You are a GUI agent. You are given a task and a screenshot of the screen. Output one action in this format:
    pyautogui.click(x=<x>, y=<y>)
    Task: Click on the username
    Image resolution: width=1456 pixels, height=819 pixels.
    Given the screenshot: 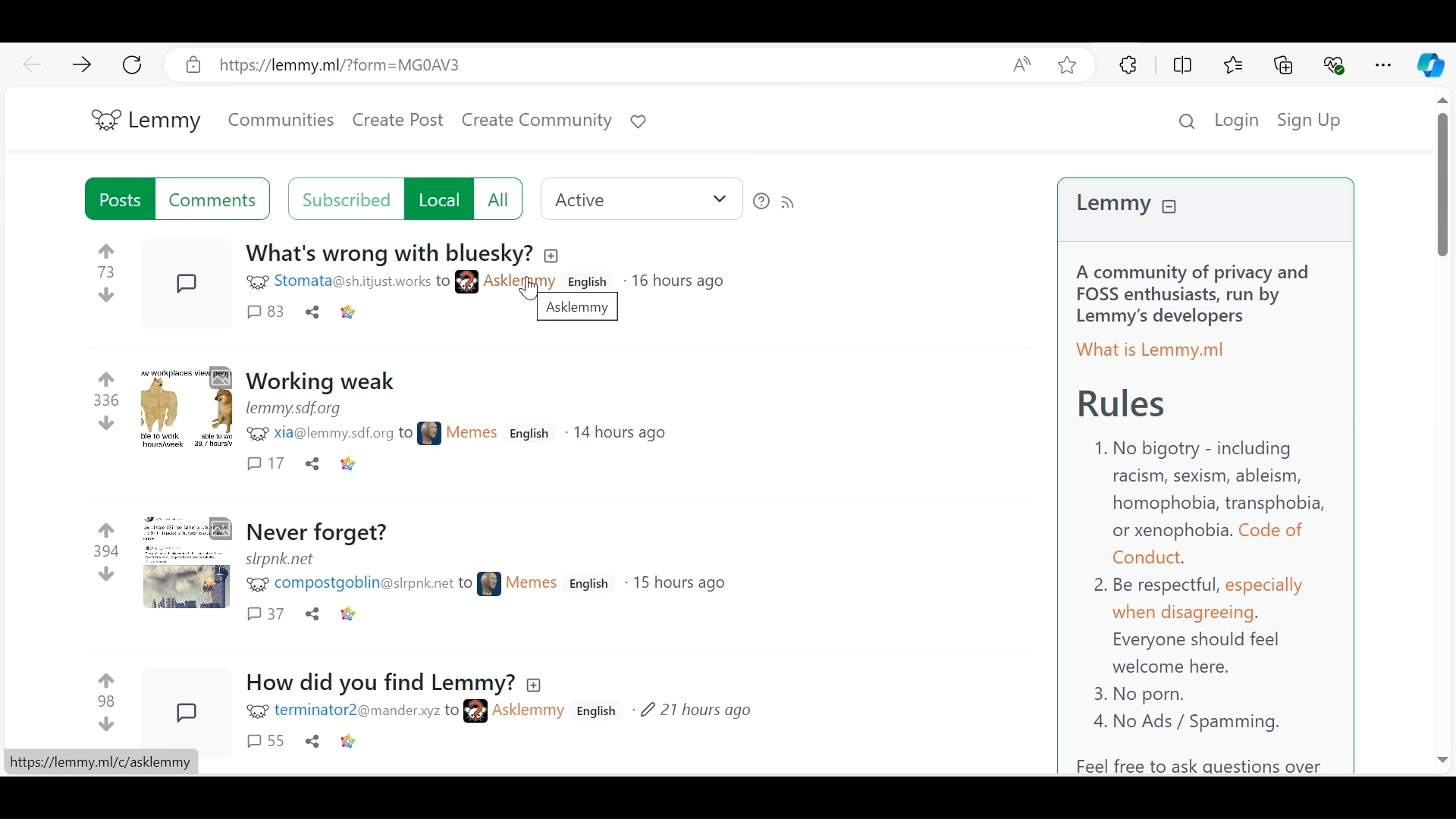 What is the action you would take?
    pyautogui.click(x=397, y=282)
    